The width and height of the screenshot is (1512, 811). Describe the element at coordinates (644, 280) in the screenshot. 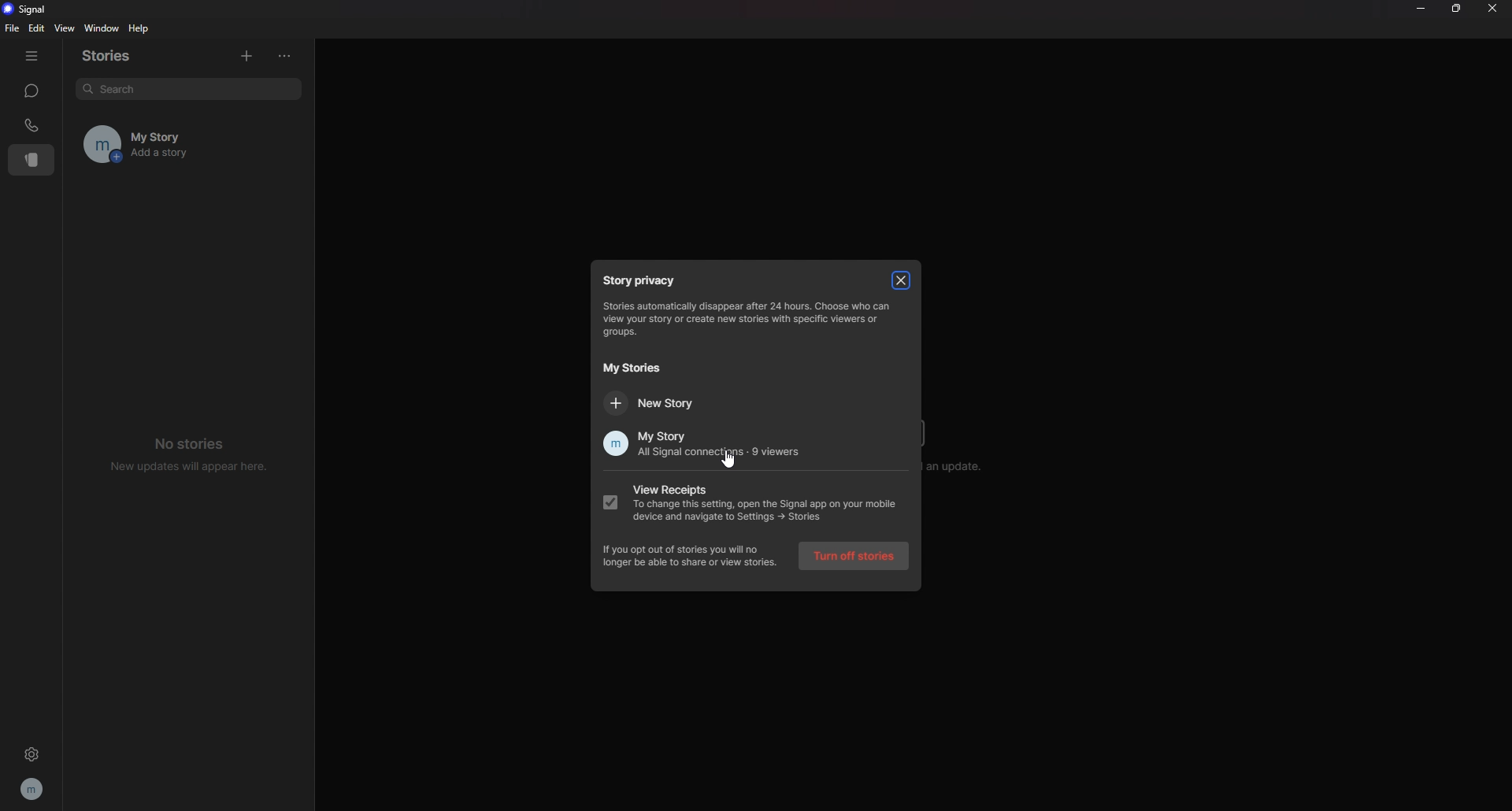

I see `story privacy` at that location.